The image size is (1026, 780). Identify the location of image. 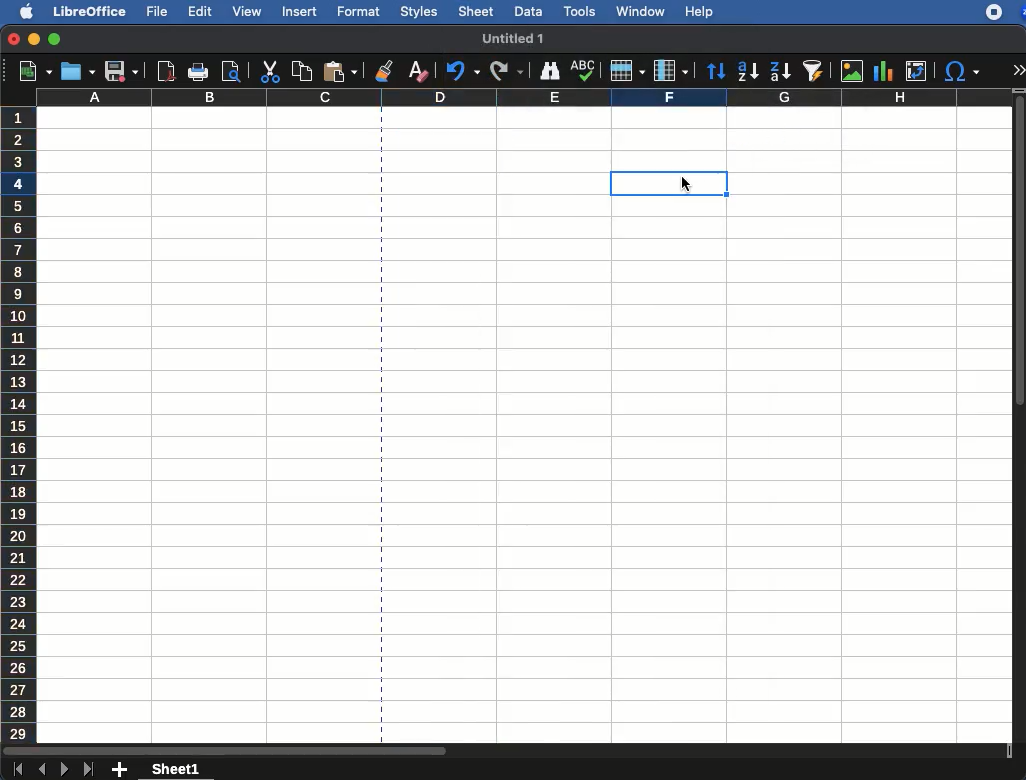
(852, 71).